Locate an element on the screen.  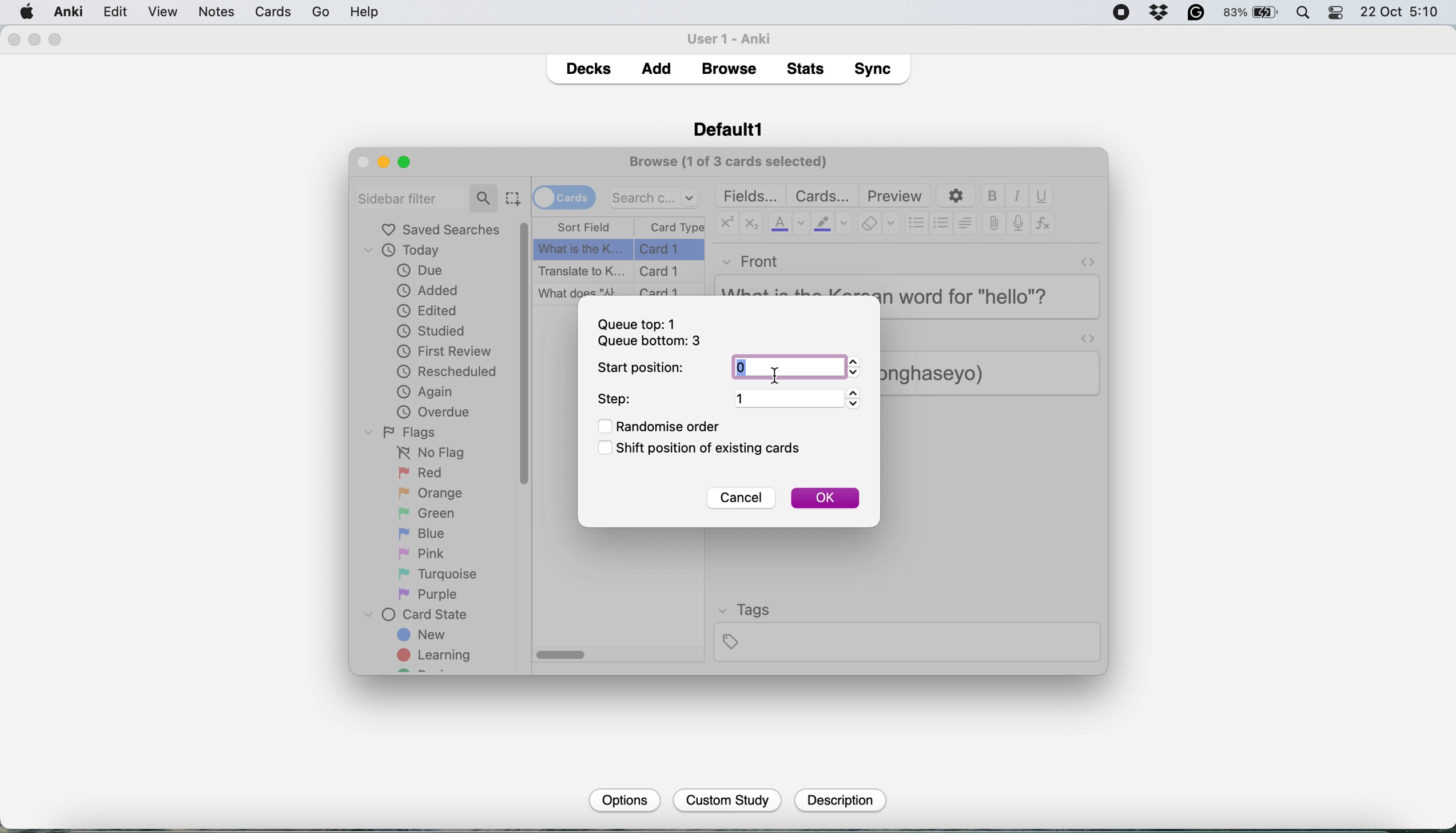
close is located at coordinates (363, 161).